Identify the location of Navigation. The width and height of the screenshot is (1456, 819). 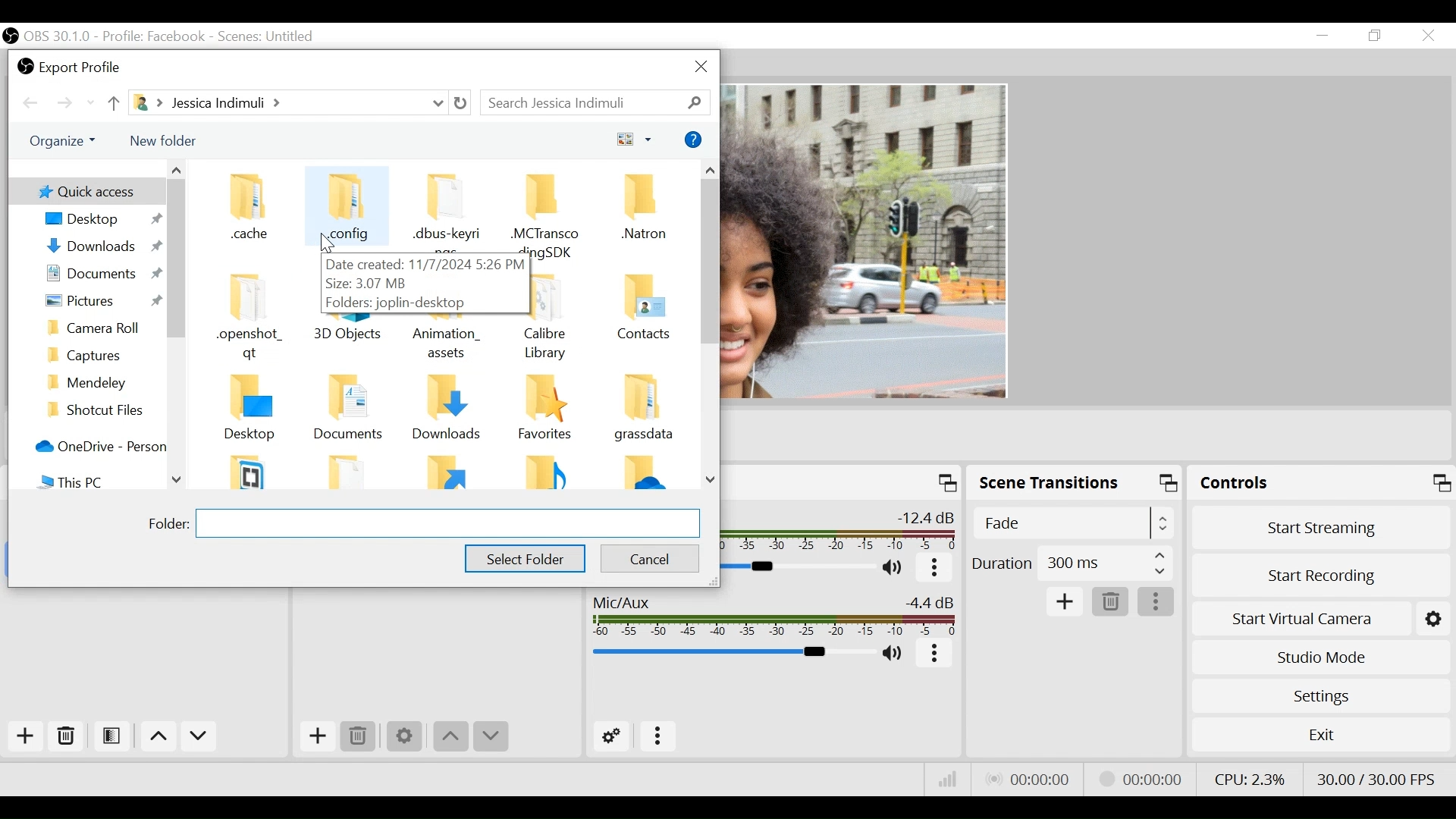
(102, 381).